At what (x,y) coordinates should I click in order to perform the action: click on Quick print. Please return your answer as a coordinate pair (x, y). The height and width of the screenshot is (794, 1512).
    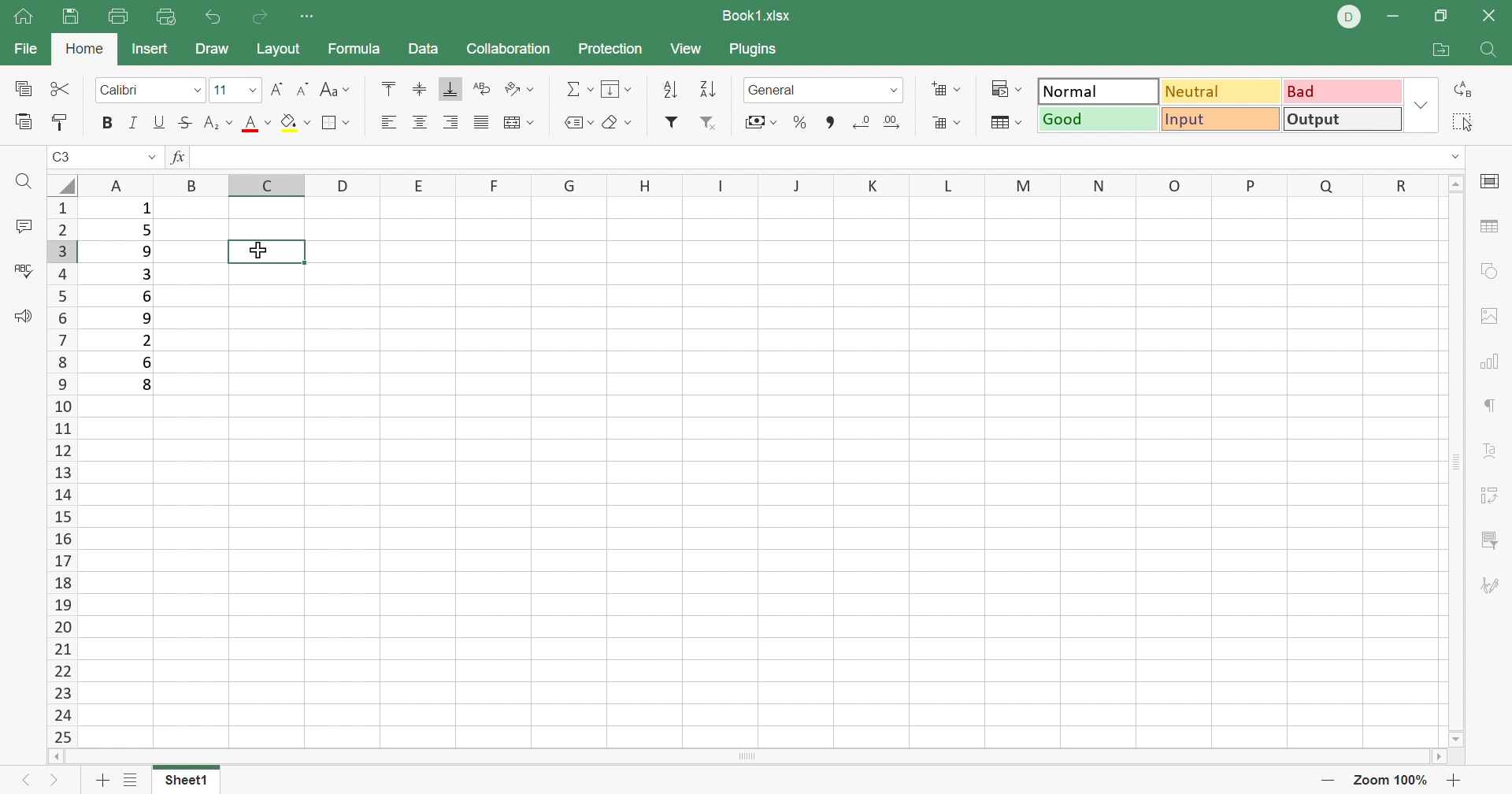
    Looking at the image, I should click on (168, 15).